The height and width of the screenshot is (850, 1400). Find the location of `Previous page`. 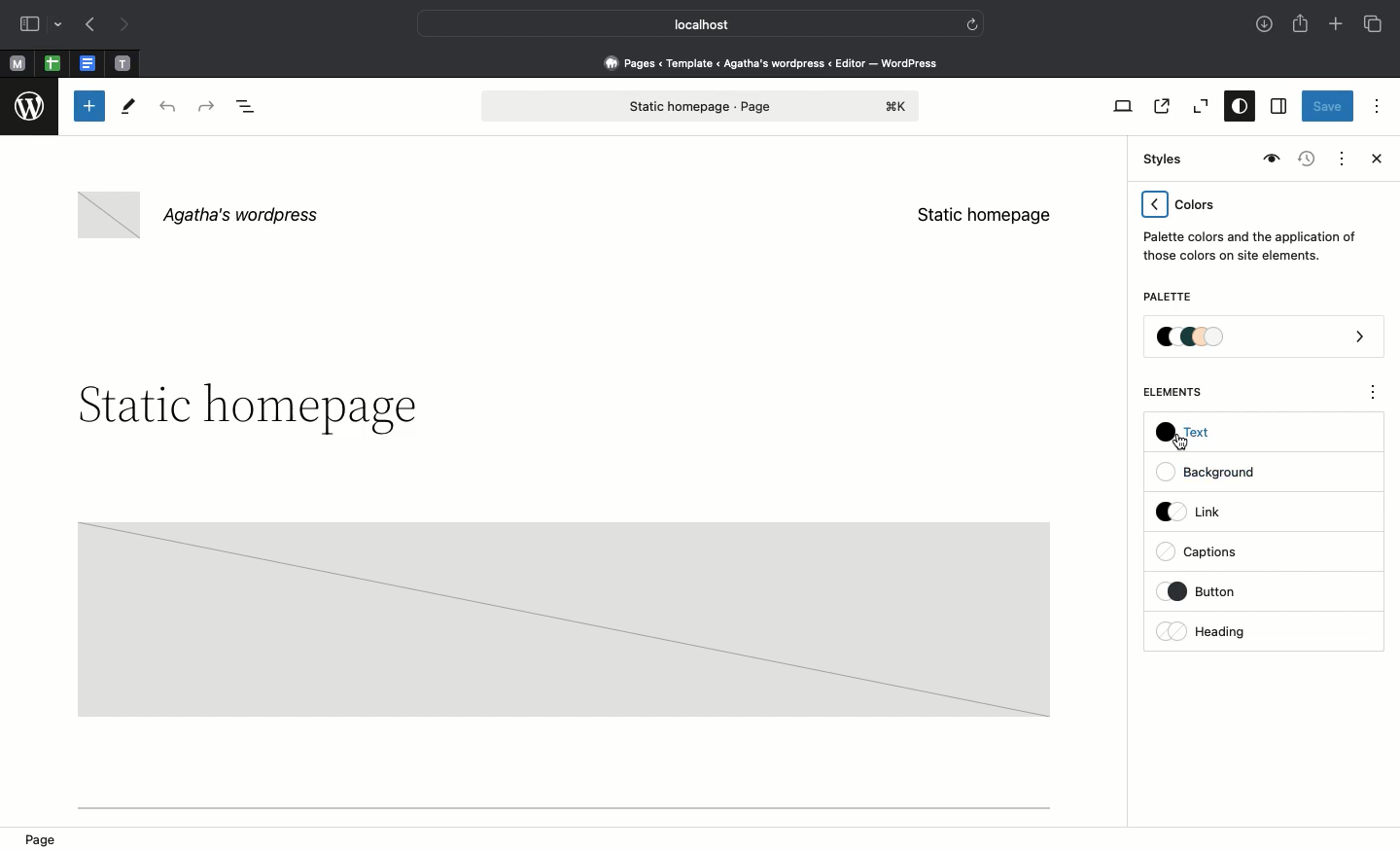

Previous page is located at coordinates (88, 26).